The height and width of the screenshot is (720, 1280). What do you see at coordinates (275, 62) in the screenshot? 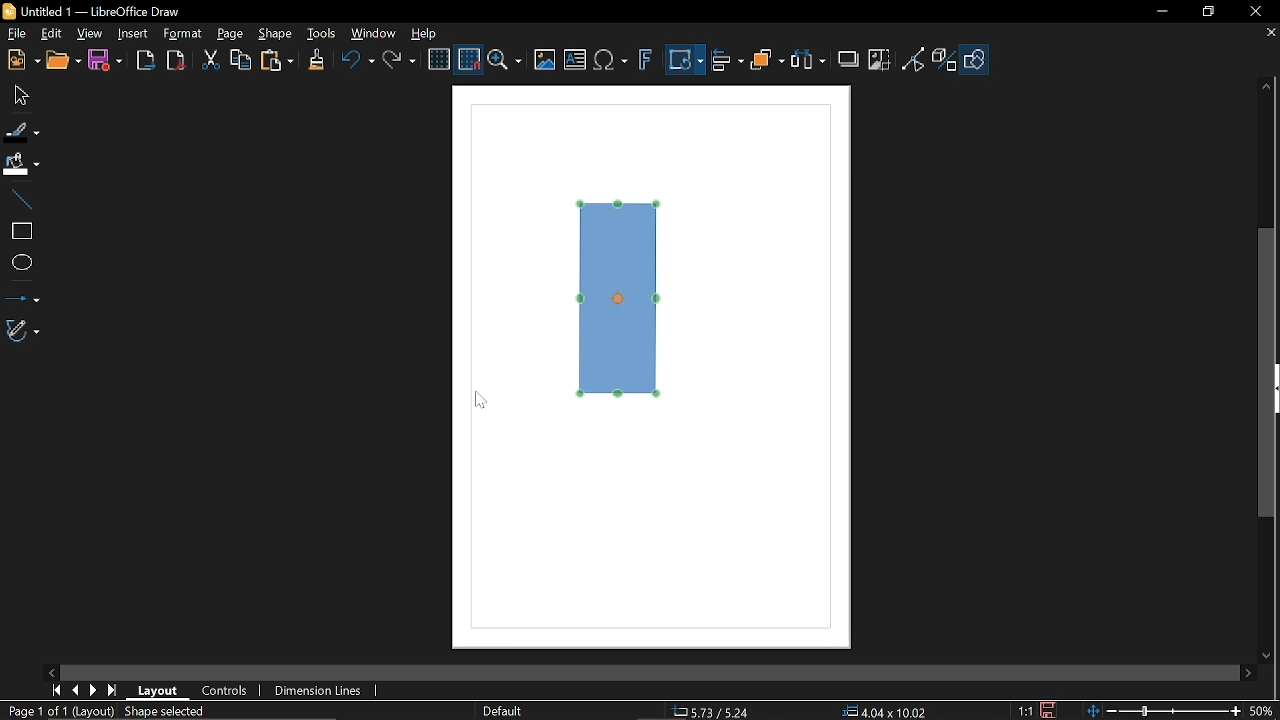
I see `Paste` at bounding box center [275, 62].